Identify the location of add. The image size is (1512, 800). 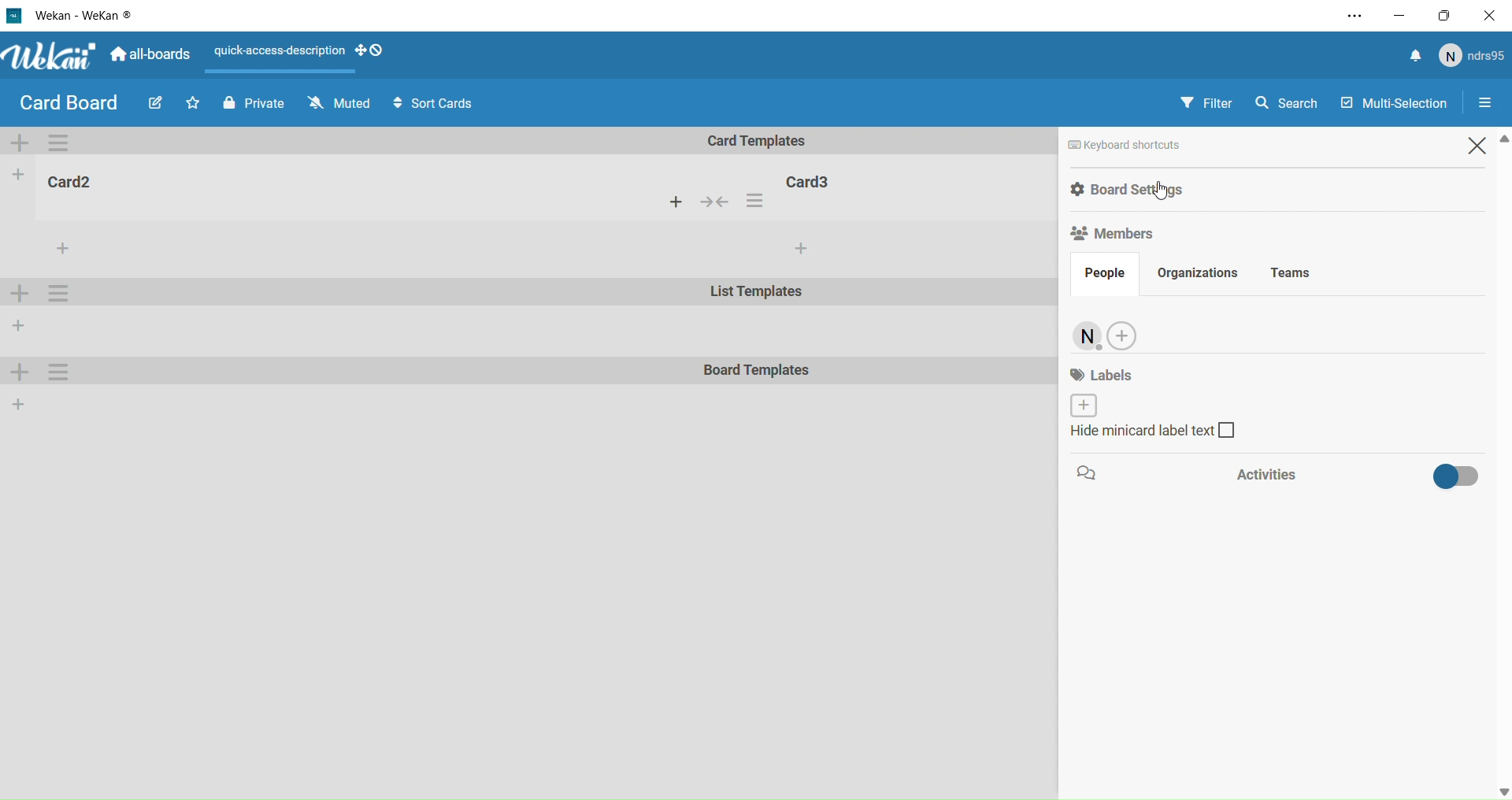
(800, 249).